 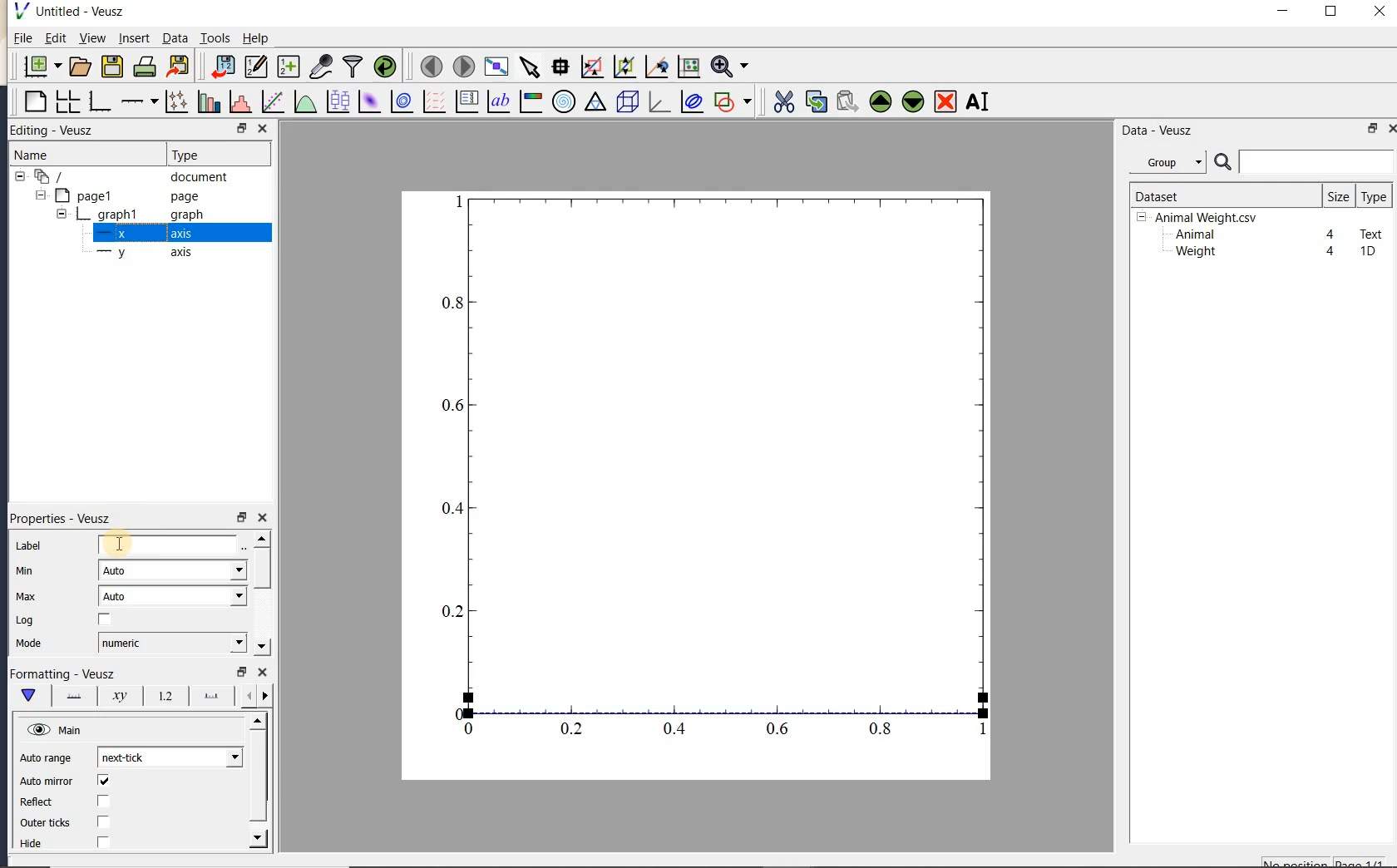 What do you see at coordinates (119, 197) in the screenshot?
I see `page1` at bounding box center [119, 197].